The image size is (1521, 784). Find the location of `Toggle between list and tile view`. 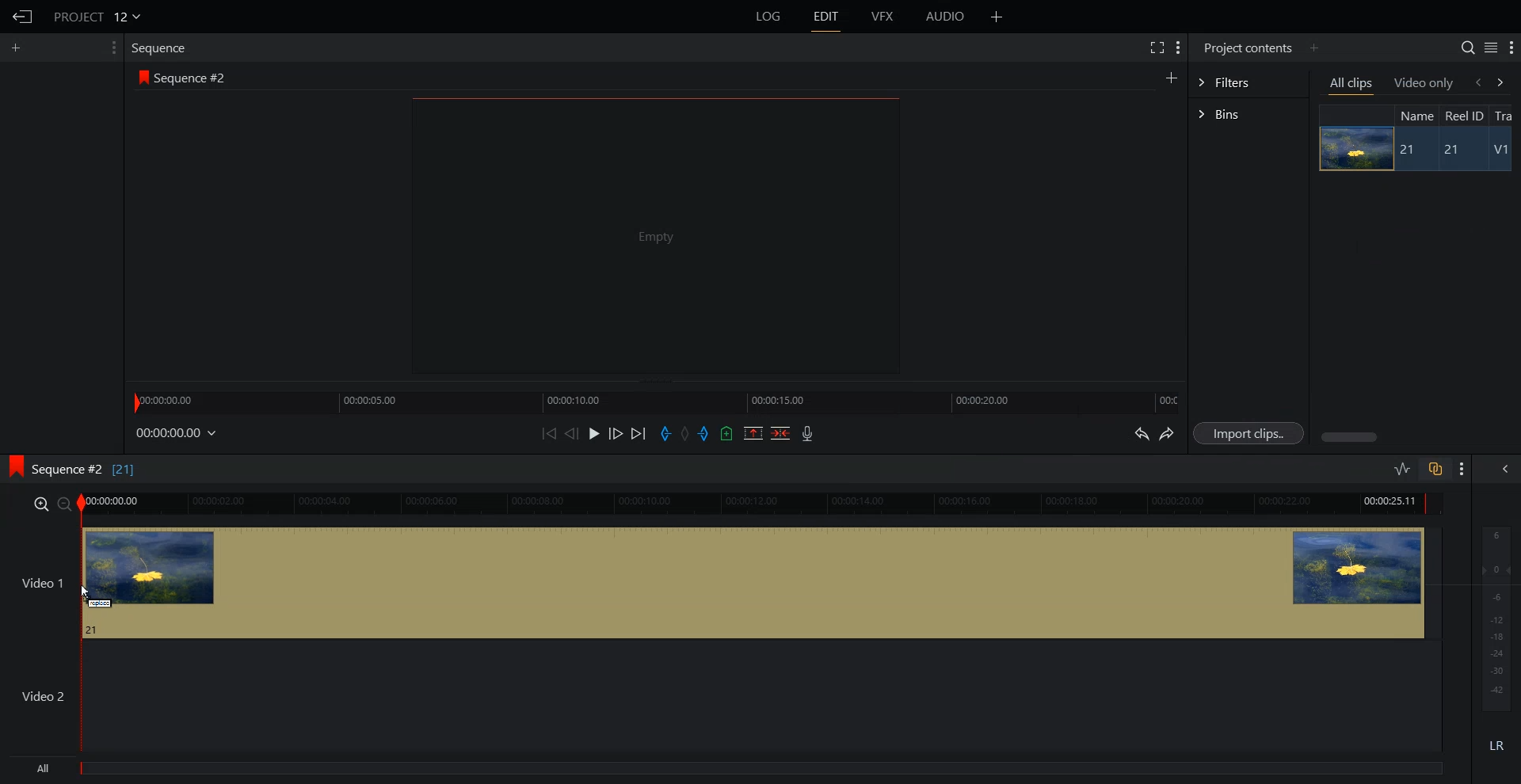

Toggle between list and tile view is located at coordinates (1490, 47).